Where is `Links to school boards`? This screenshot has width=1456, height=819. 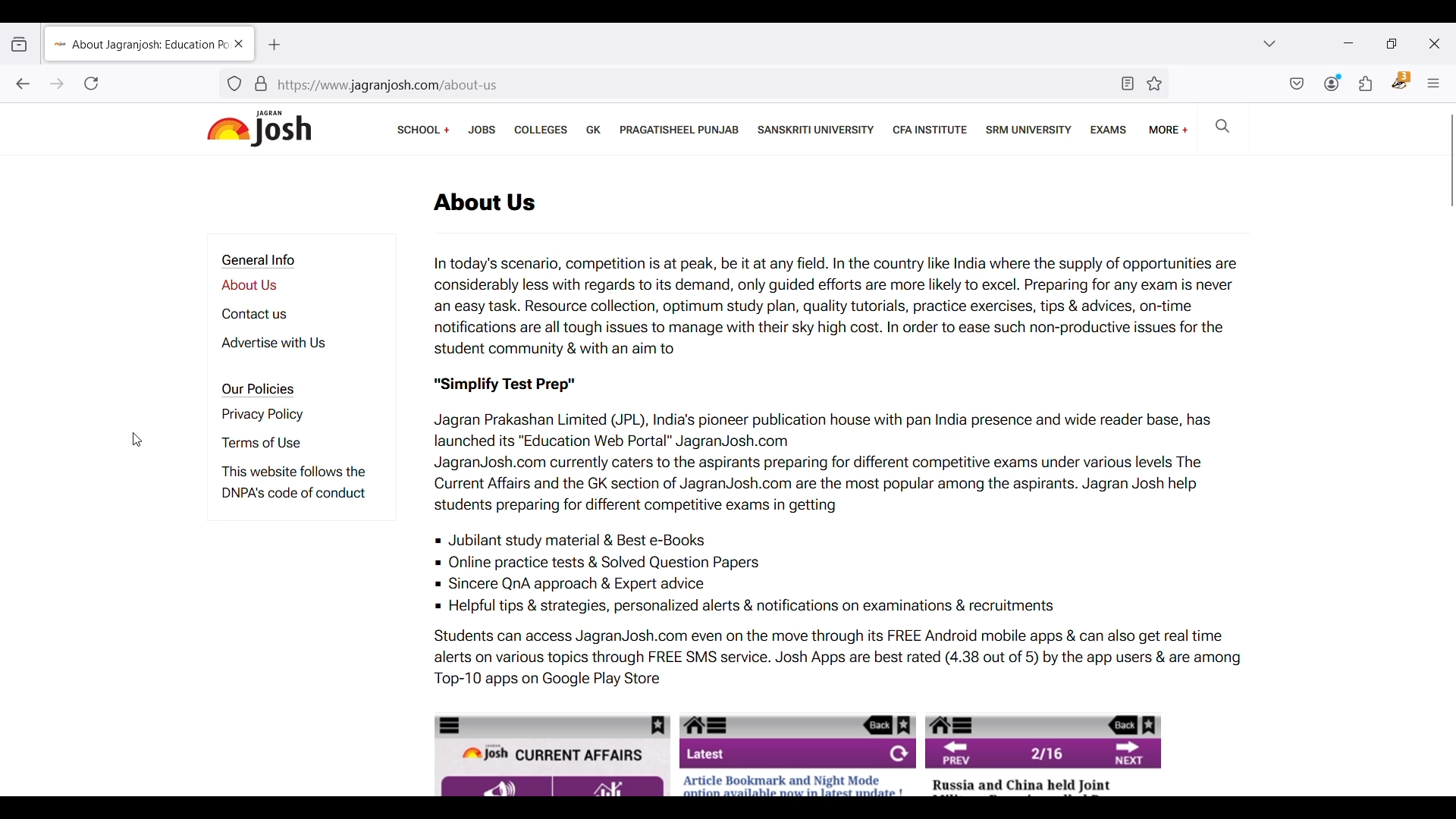
Links to school boards is located at coordinates (423, 129).